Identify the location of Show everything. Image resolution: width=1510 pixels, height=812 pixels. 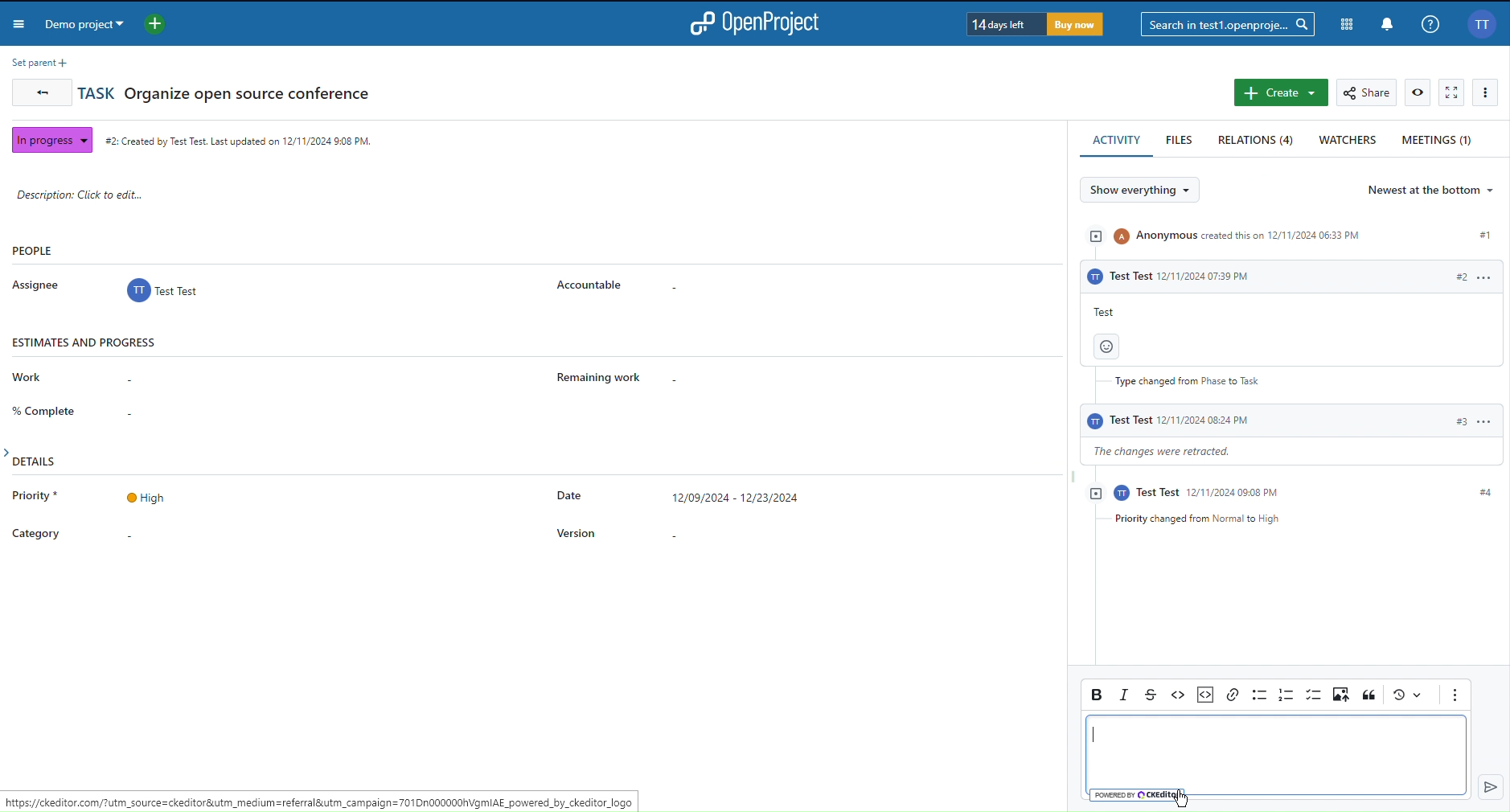
(1147, 191).